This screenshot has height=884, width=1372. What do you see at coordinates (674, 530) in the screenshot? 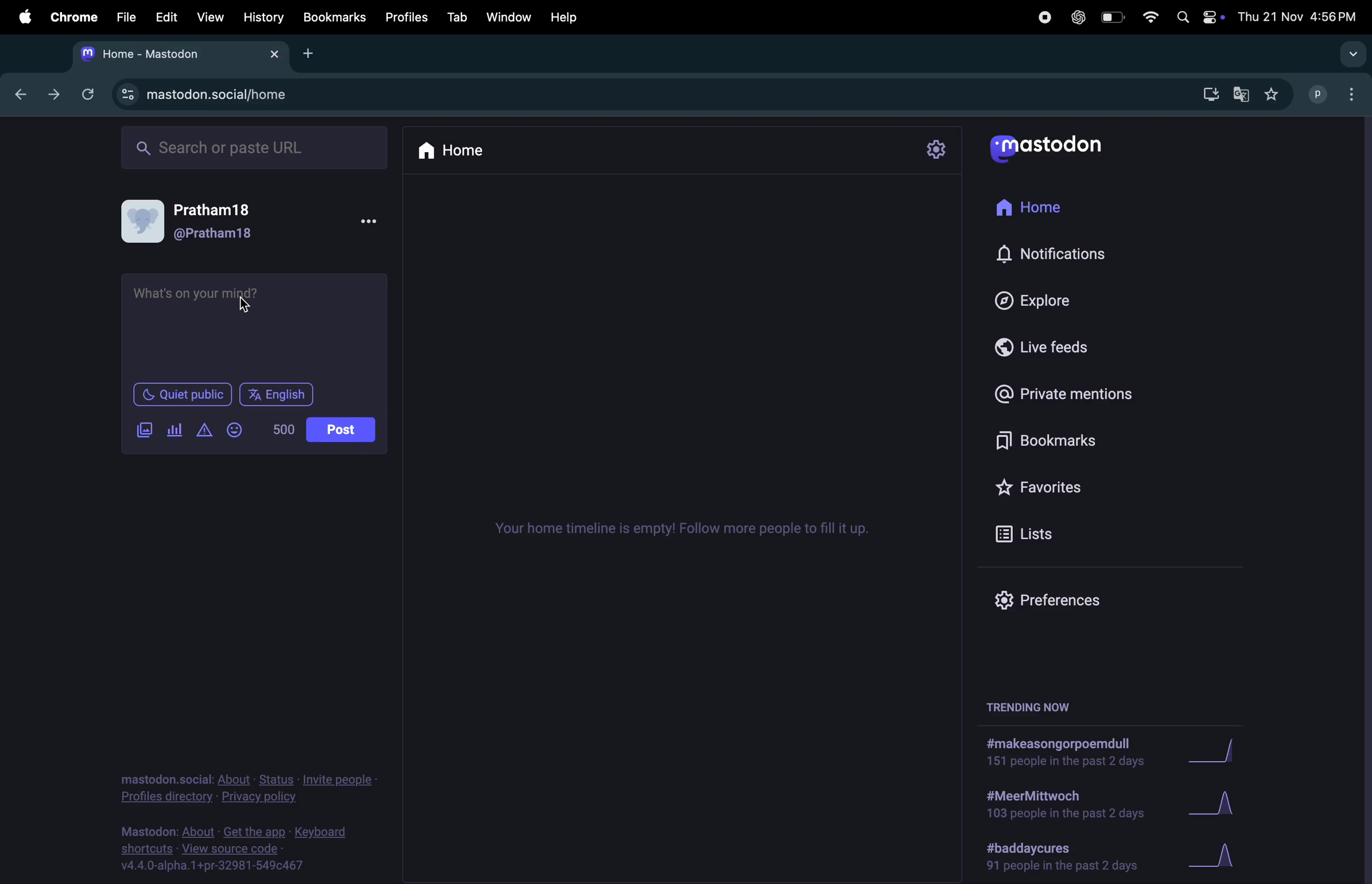
I see `timelines` at bounding box center [674, 530].